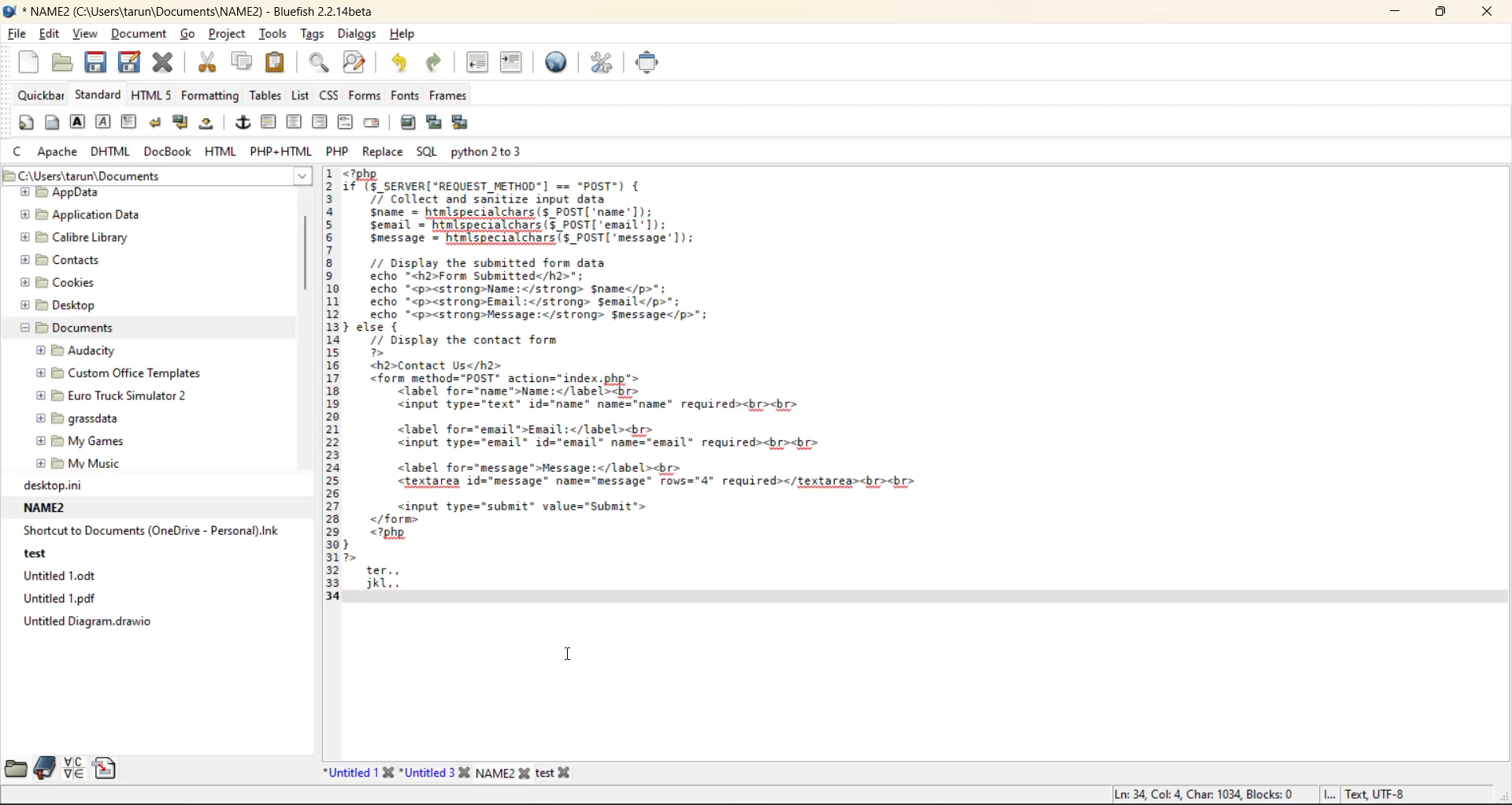 Image resolution: width=1512 pixels, height=805 pixels. I want to click on dialogs, so click(357, 36).